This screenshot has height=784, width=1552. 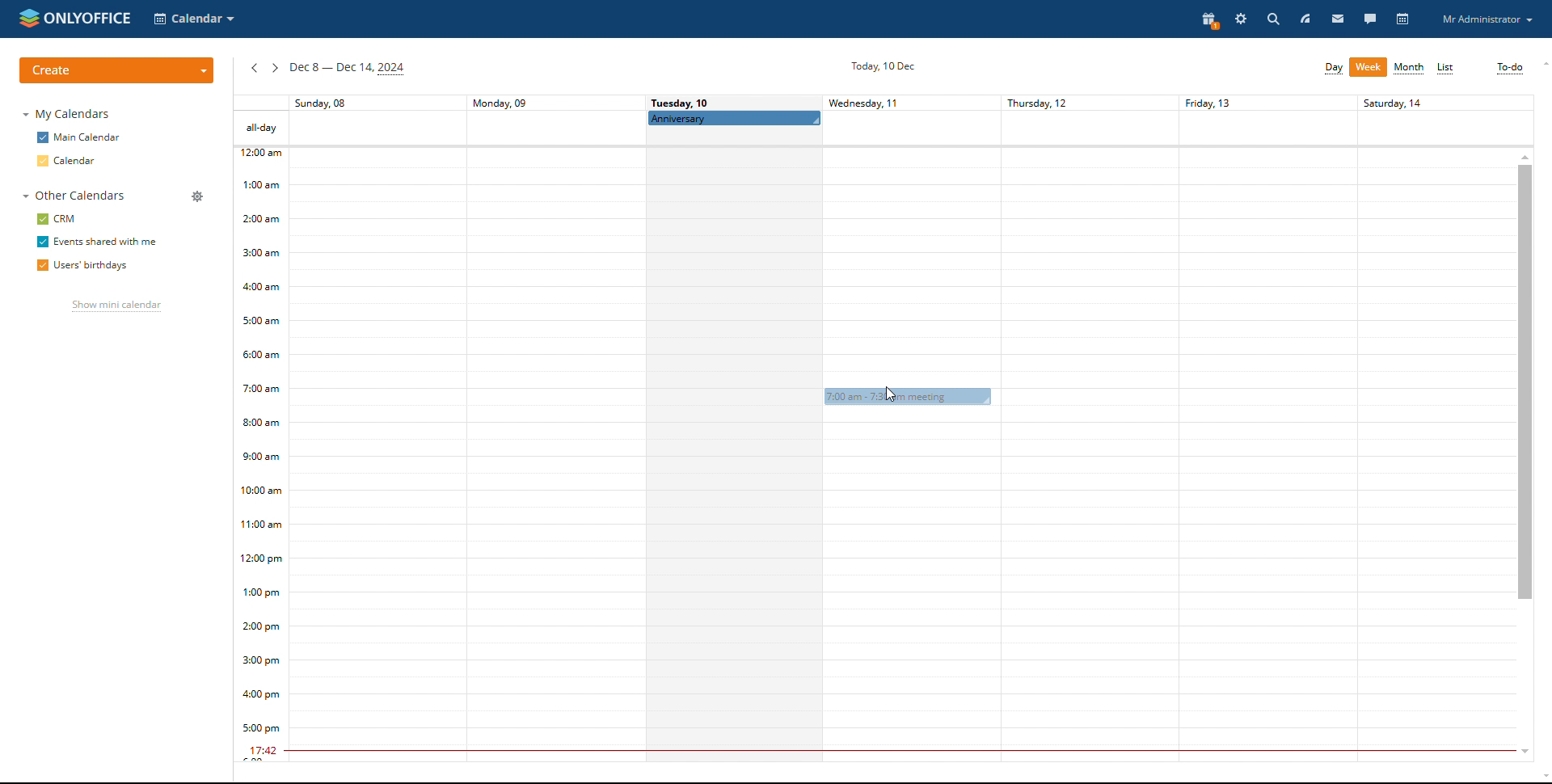 What do you see at coordinates (197, 196) in the screenshot?
I see `manage` at bounding box center [197, 196].